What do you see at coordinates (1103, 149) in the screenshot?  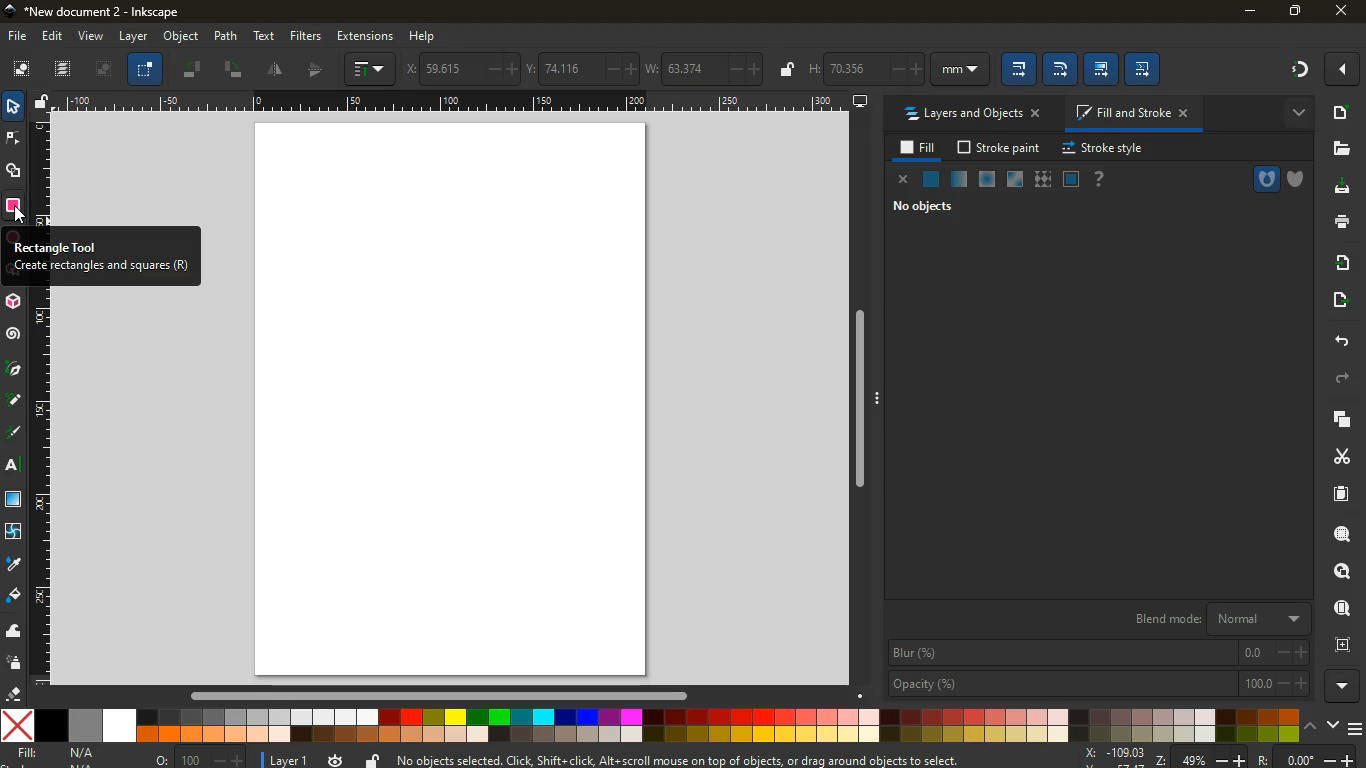 I see `stroke style` at bounding box center [1103, 149].